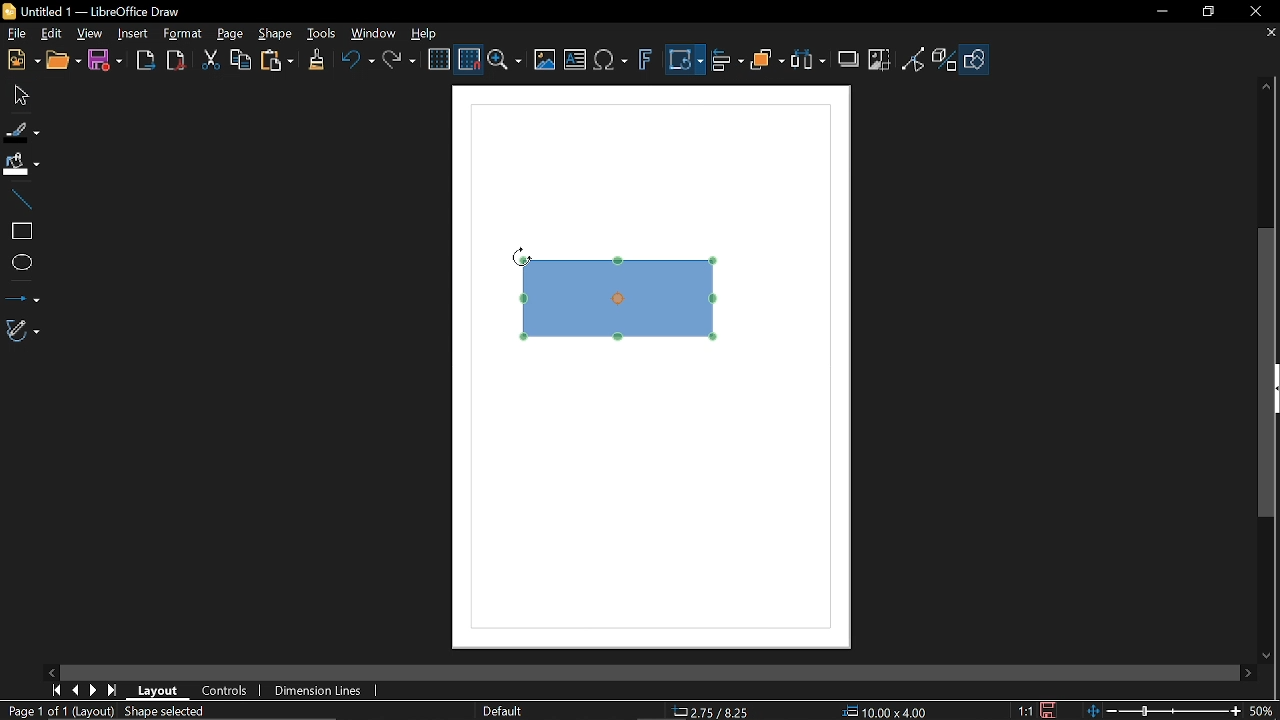  I want to click on Move up, so click(1269, 87).